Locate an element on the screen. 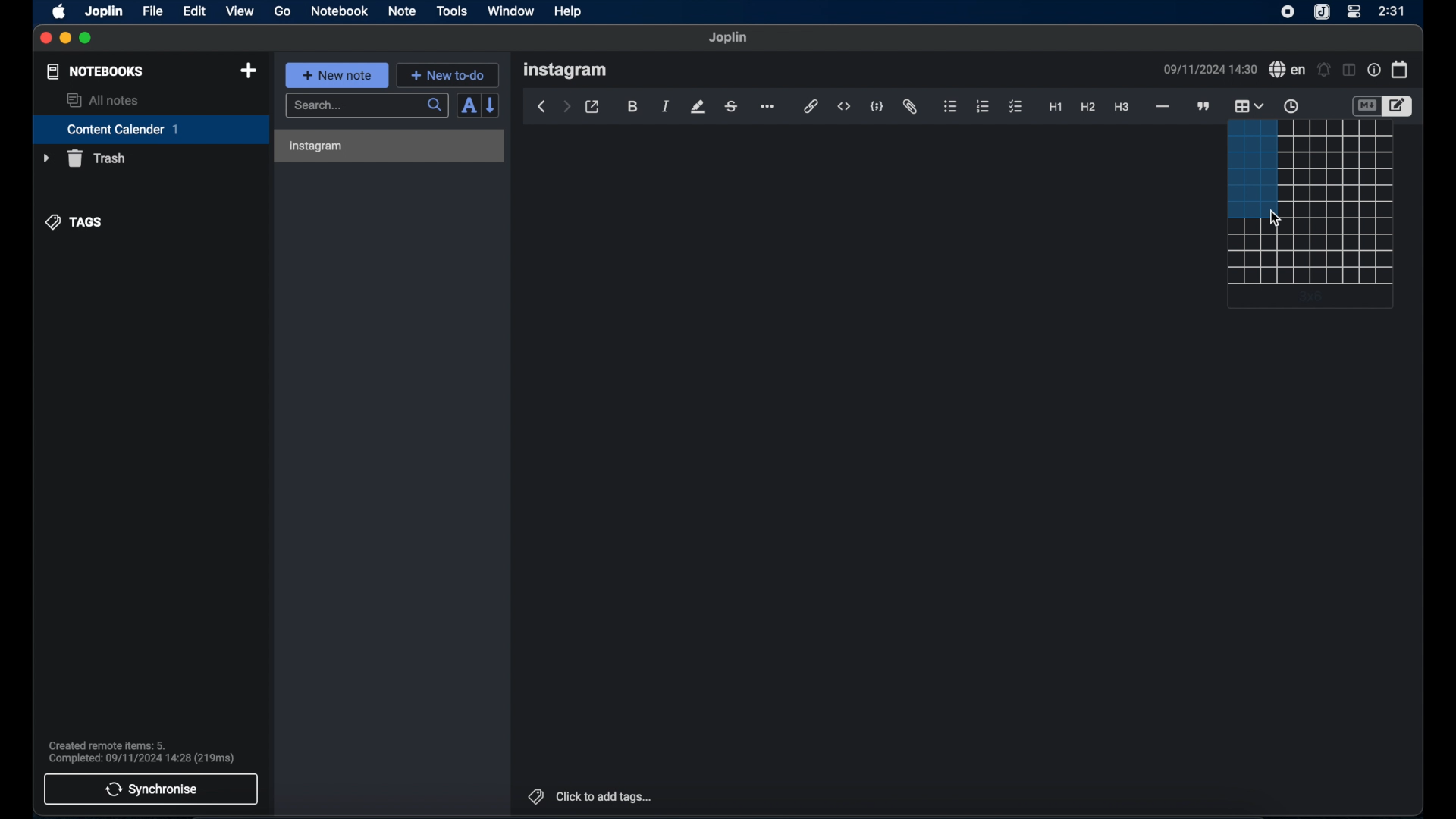 This screenshot has height=819, width=1456. apple icon is located at coordinates (60, 12).